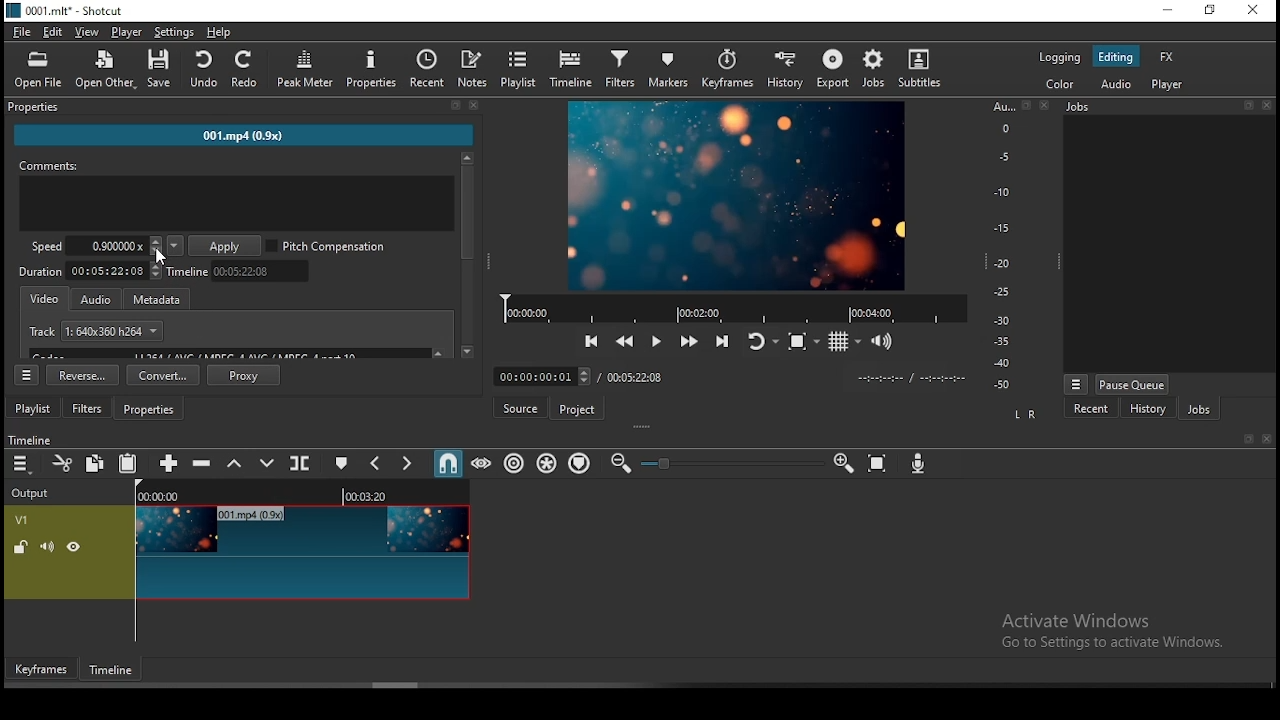  I want to click on save, so click(162, 71).